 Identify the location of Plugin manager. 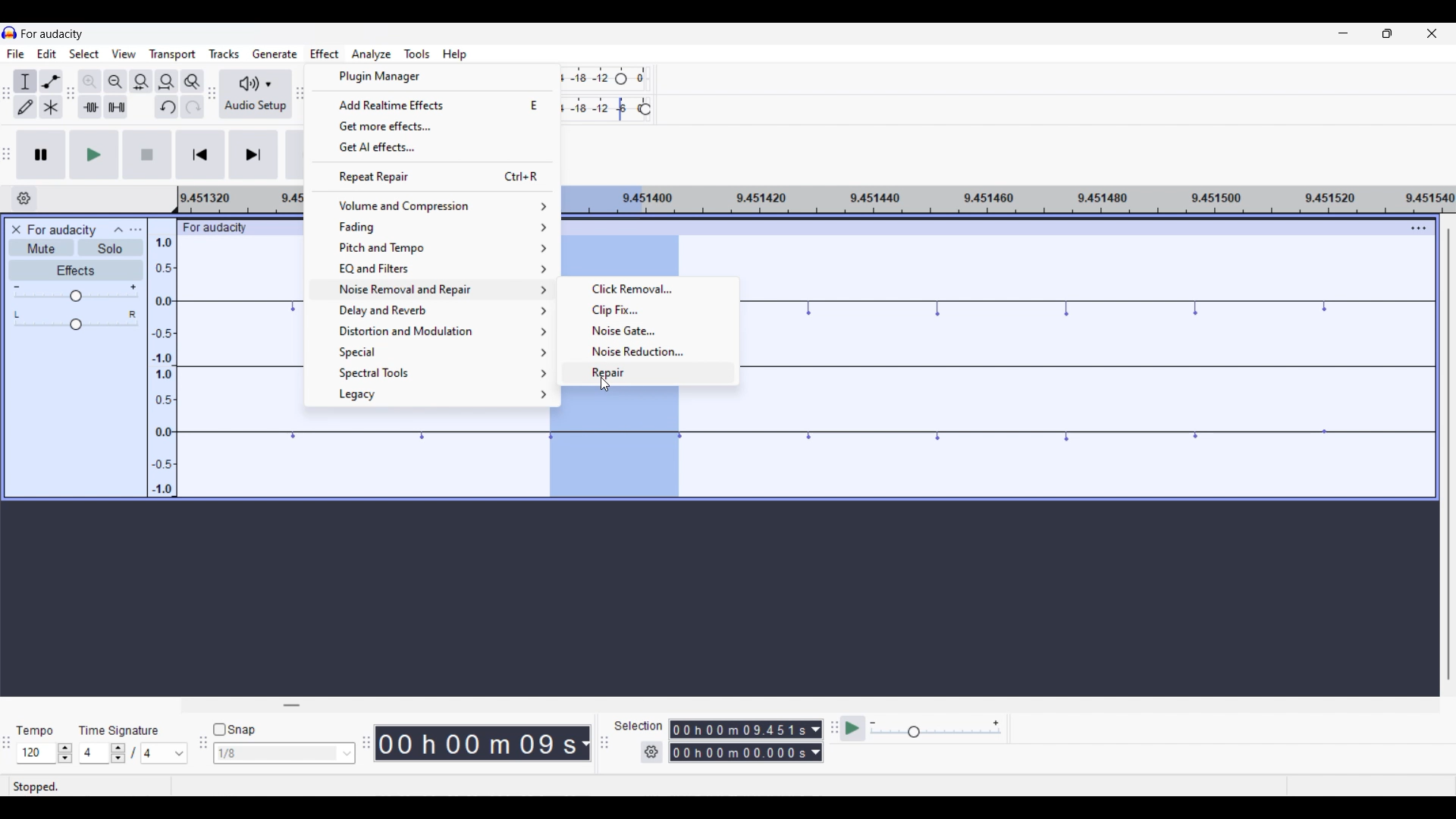
(435, 77).